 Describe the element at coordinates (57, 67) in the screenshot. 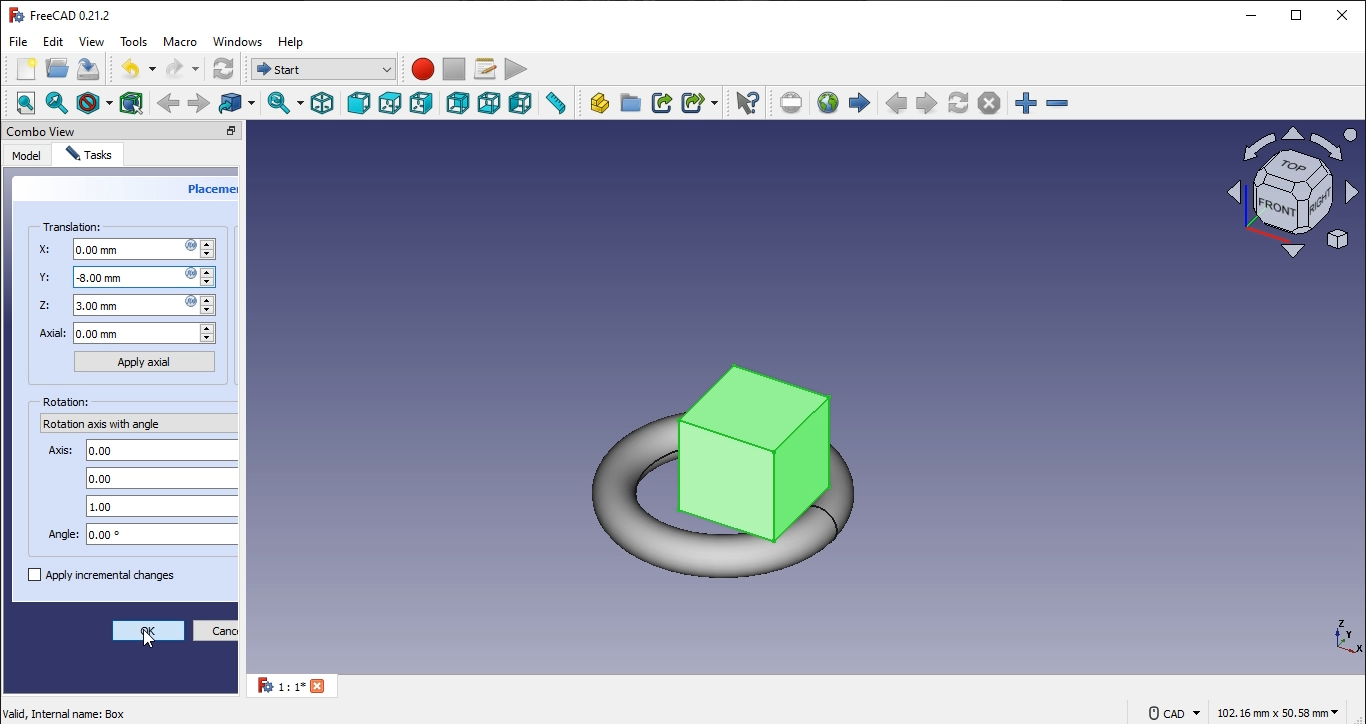

I see `open file` at that location.